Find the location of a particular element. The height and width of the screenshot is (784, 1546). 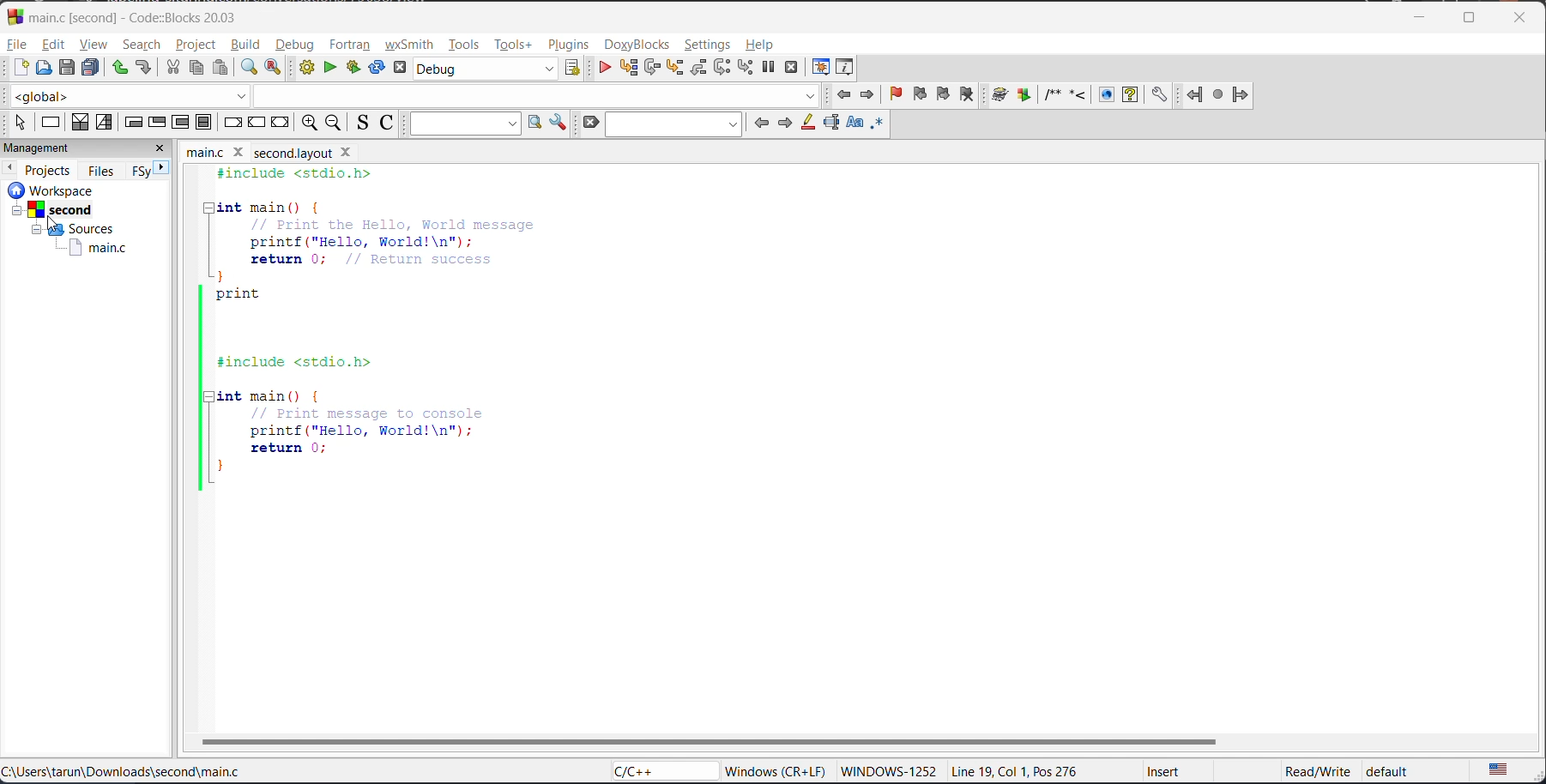

run search is located at coordinates (534, 122).